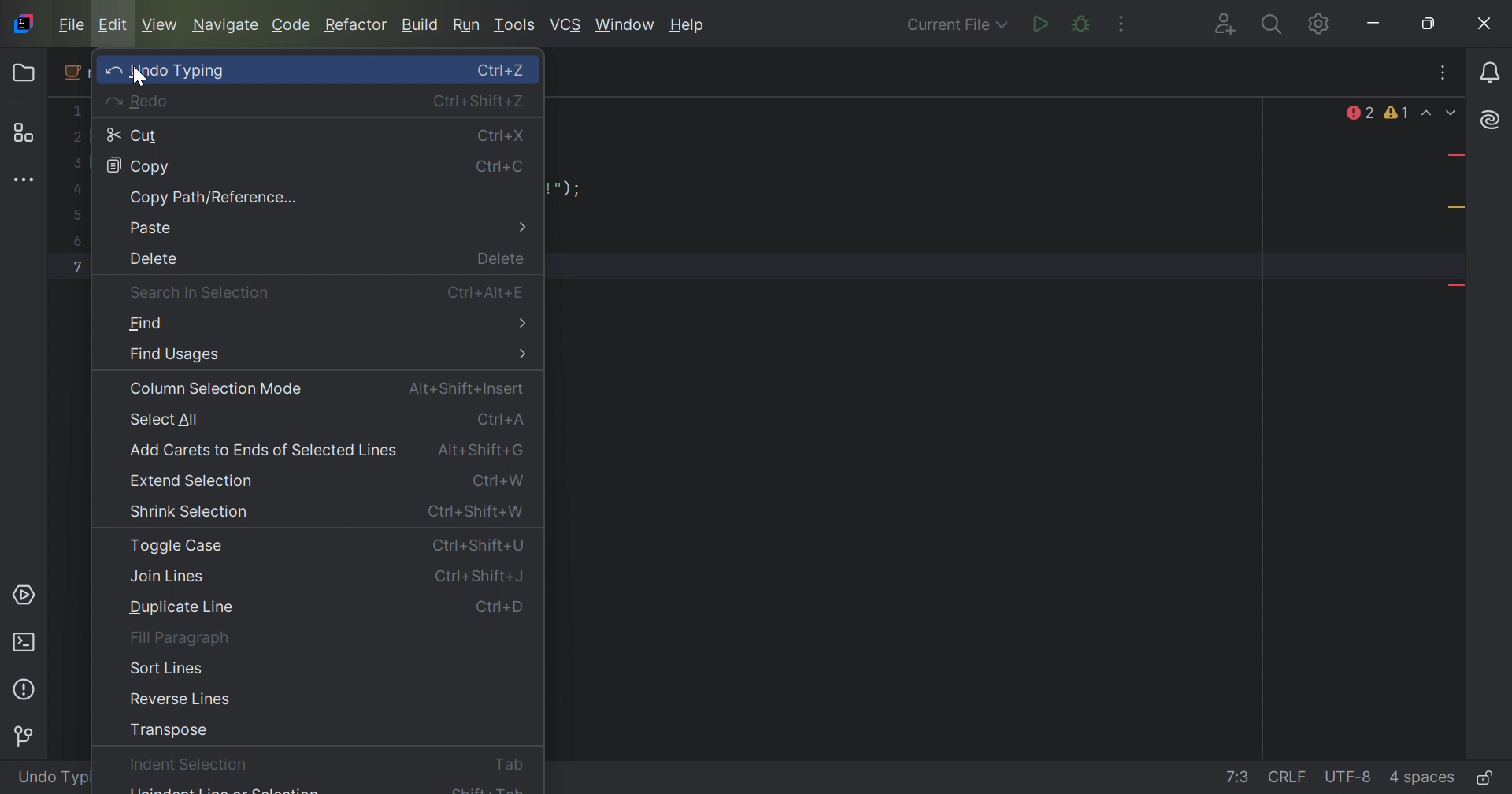  What do you see at coordinates (138, 168) in the screenshot?
I see `Copy` at bounding box center [138, 168].